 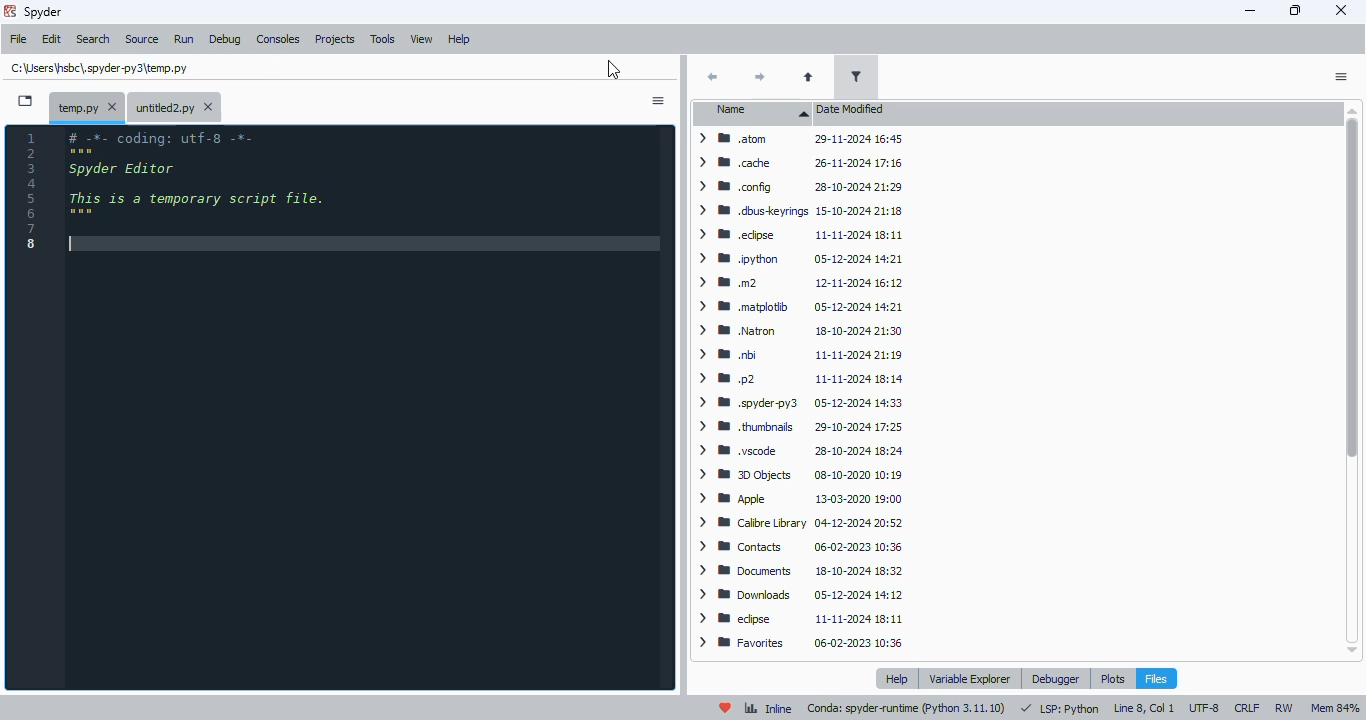 What do you see at coordinates (9, 11) in the screenshot?
I see `logo` at bounding box center [9, 11].